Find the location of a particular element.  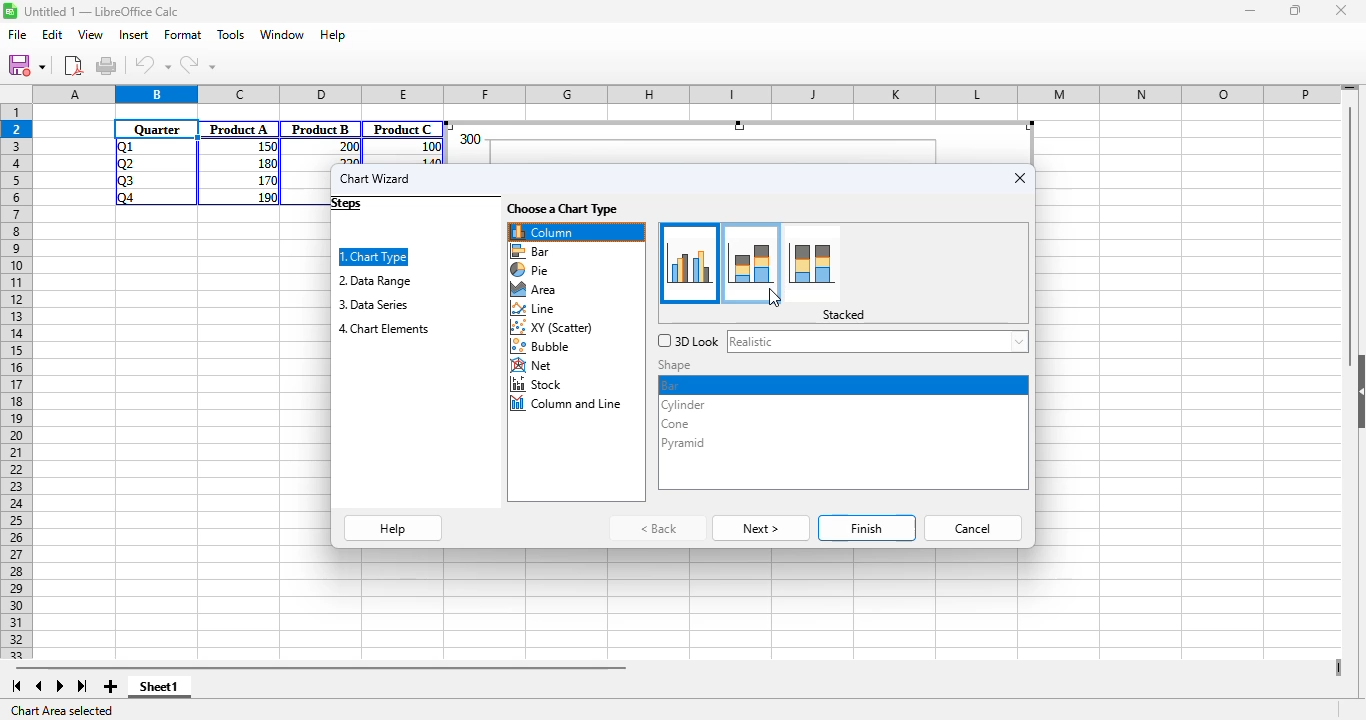

vertical scroll bar is located at coordinates (1352, 232).